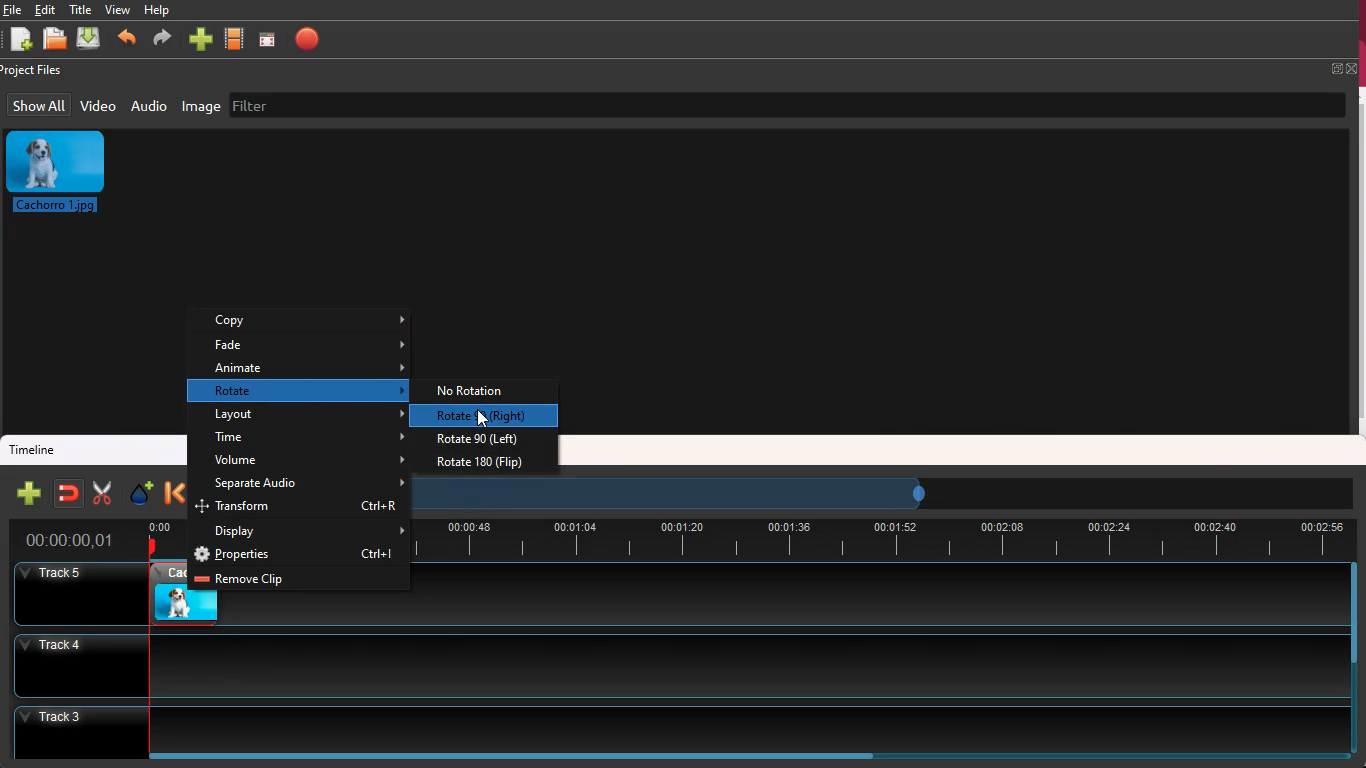 The width and height of the screenshot is (1366, 768). I want to click on view, so click(120, 11).